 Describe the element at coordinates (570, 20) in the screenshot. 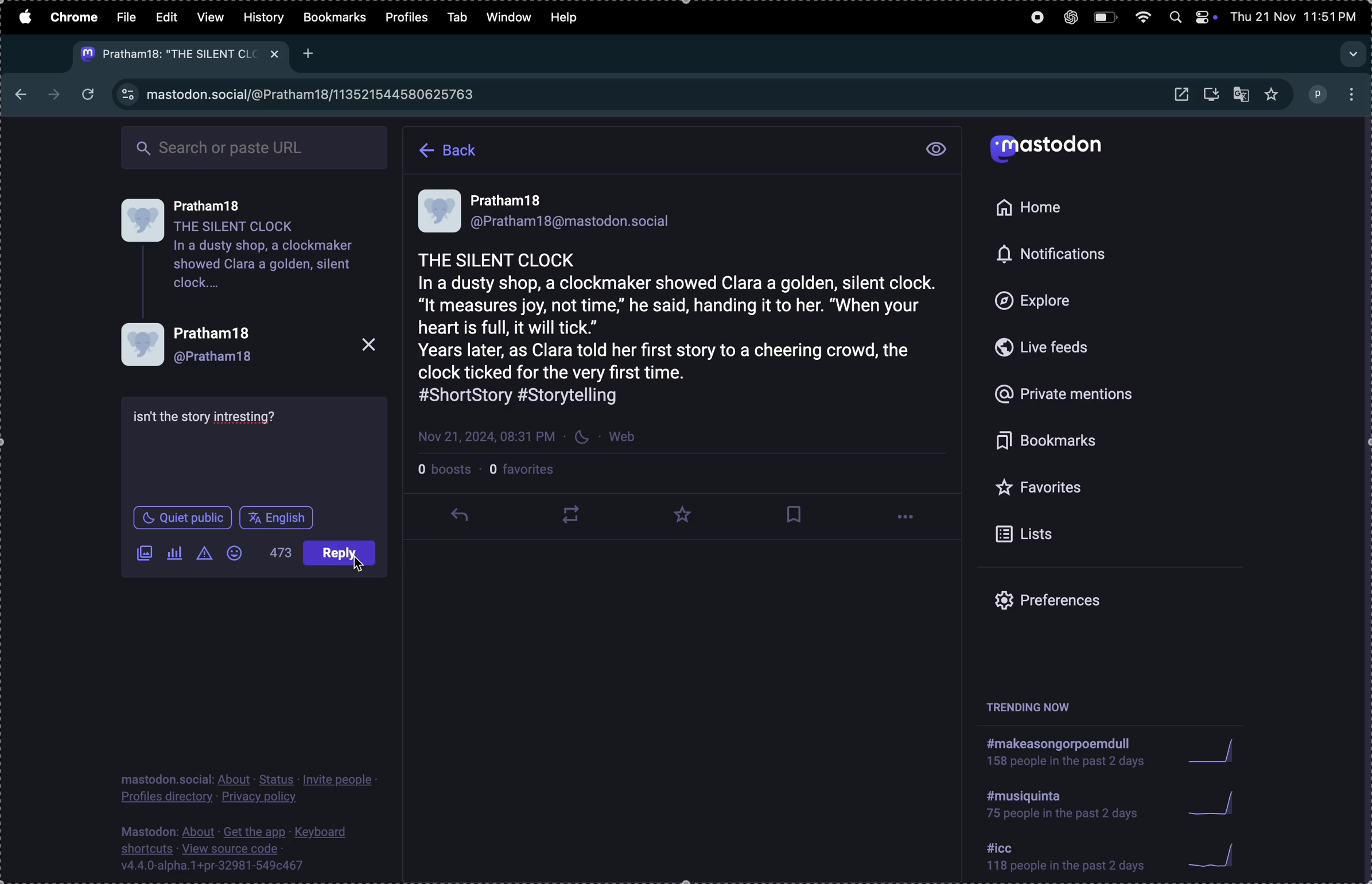

I see `help` at that location.